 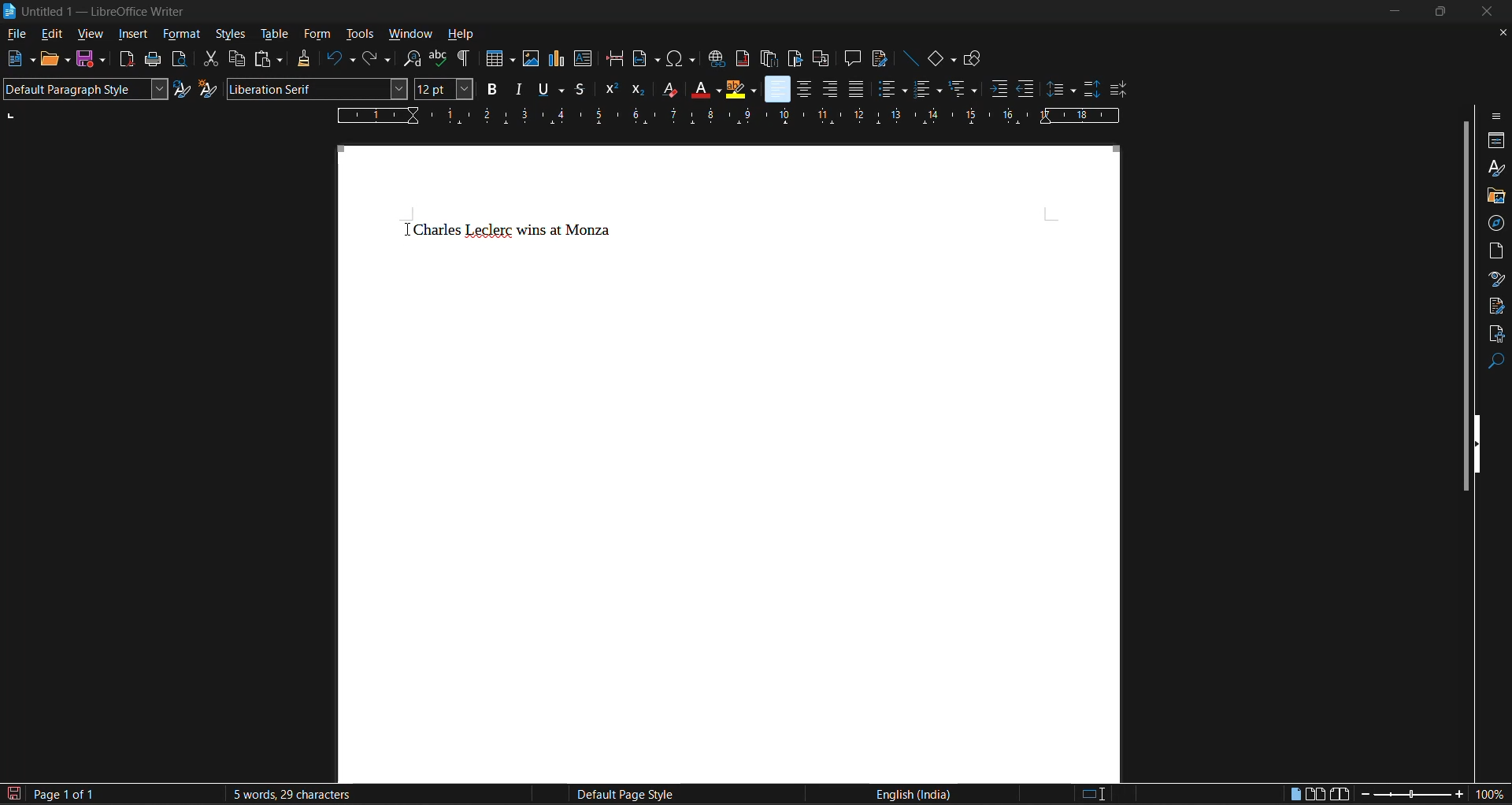 I want to click on format, so click(x=182, y=35).